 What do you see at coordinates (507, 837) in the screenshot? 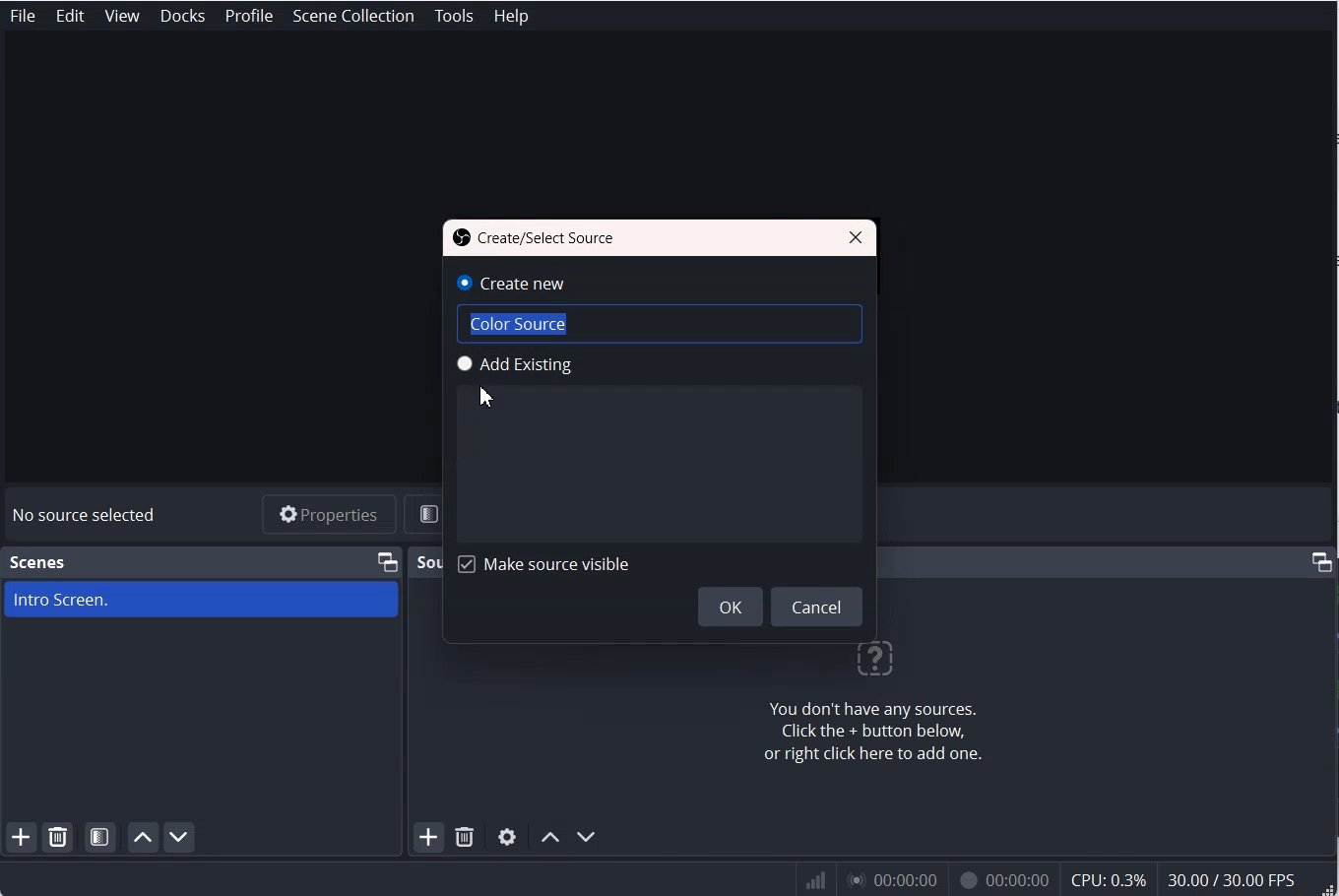
I see `Open Source properties` at bounding box center [507, 837].